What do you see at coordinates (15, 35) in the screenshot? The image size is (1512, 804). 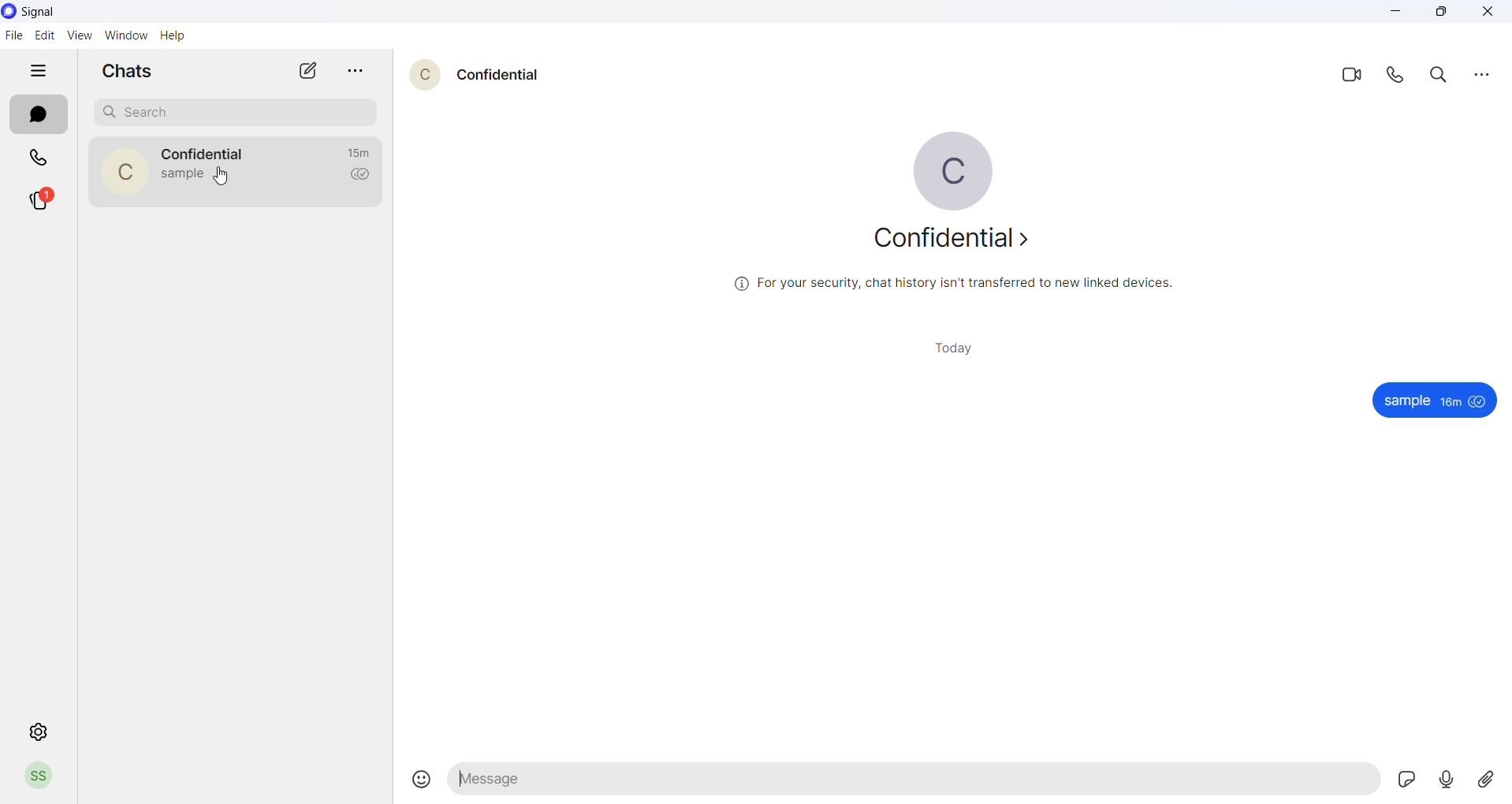 I see `file` at bounding box center [15, 35].